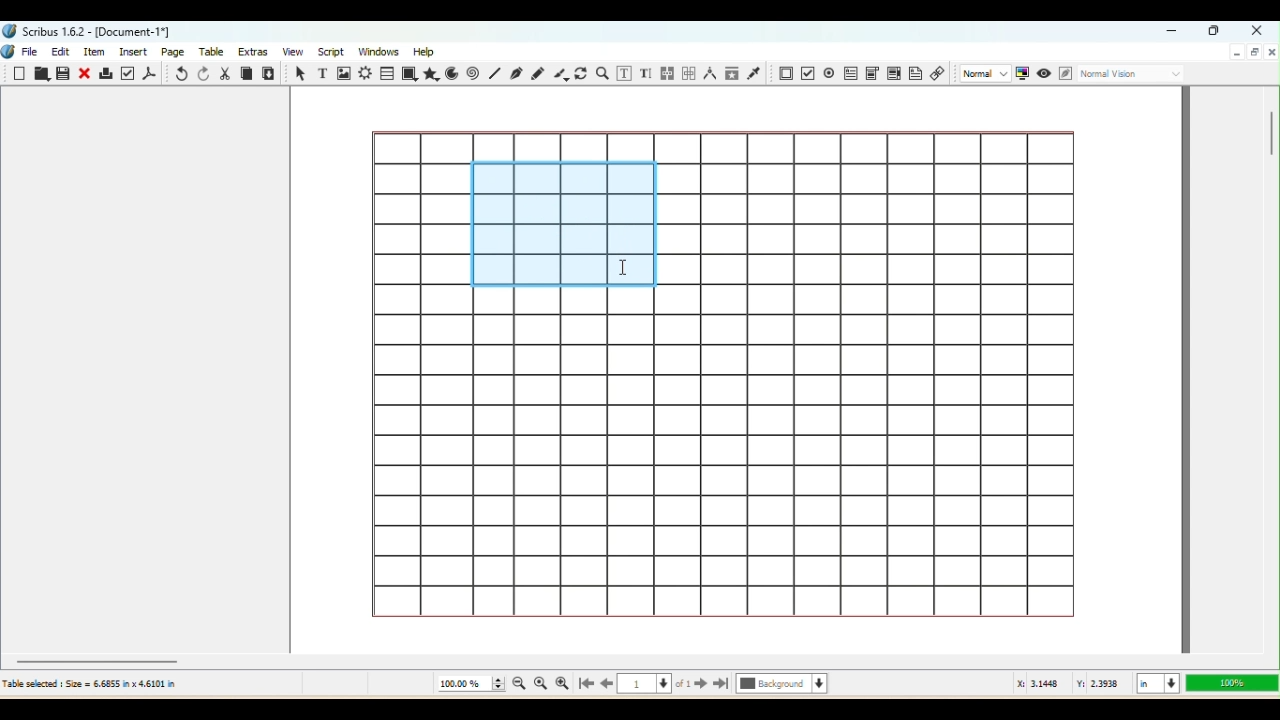 The image size is (1280, 720). What do you see at coordinates (1254, 53) in the screenshot?
I see `Maximize` at bounding box center [1254, 53].